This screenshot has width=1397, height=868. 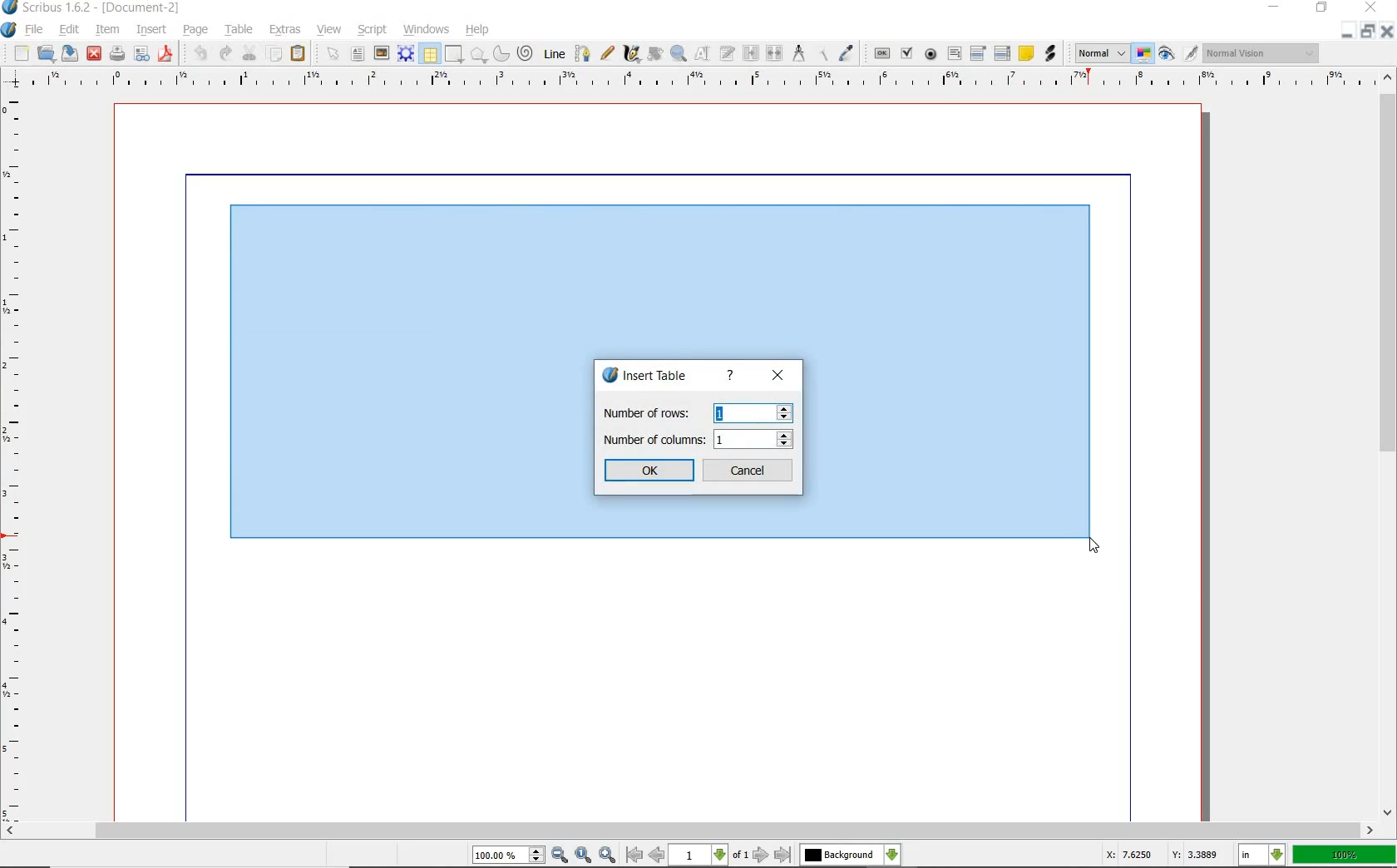 What do you see at coordinates (954, 54) in the screenshot?
I see `pdf text field` at bounding box center [954, 54].